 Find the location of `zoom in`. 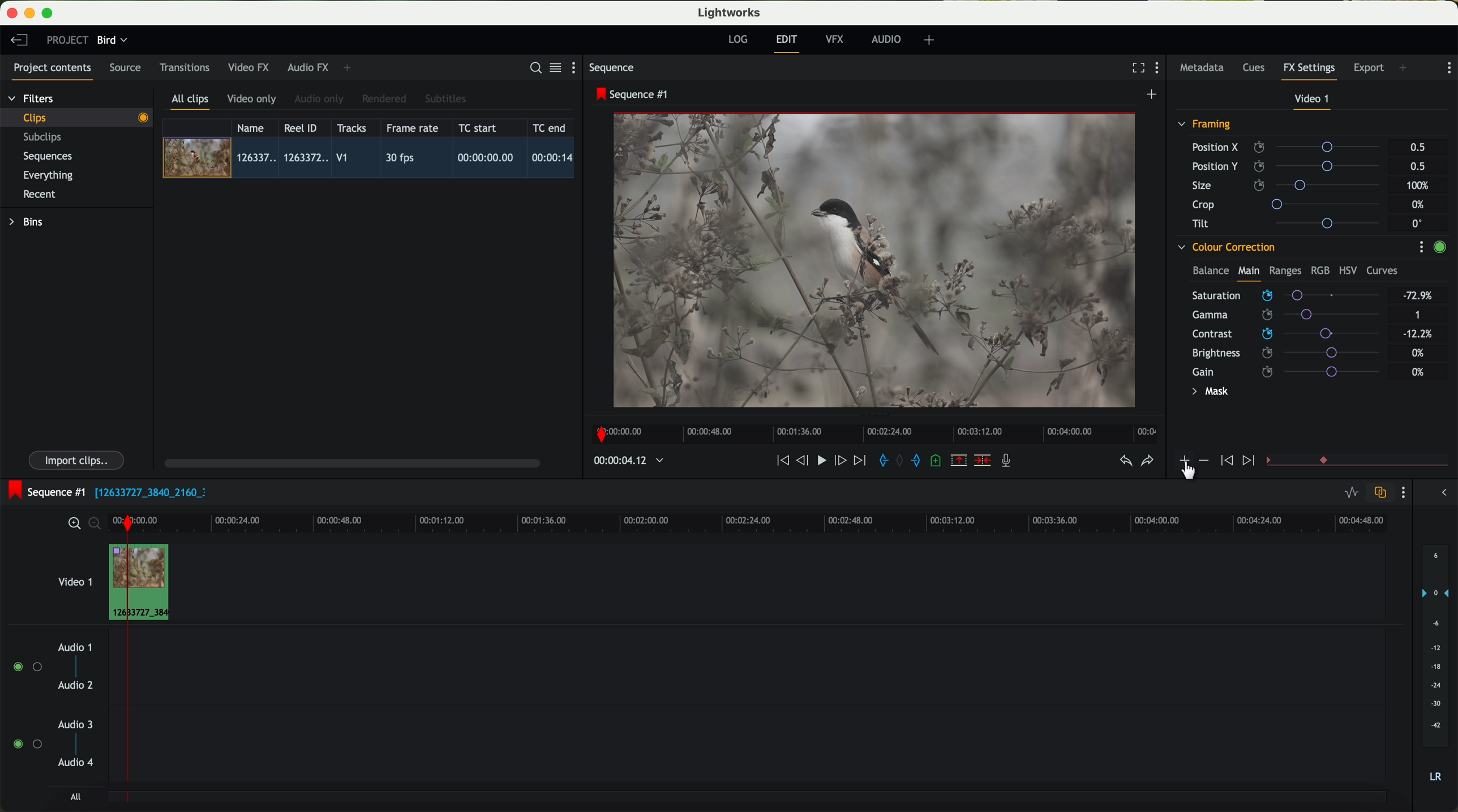

zoom in is located at coordinates (72, 524).